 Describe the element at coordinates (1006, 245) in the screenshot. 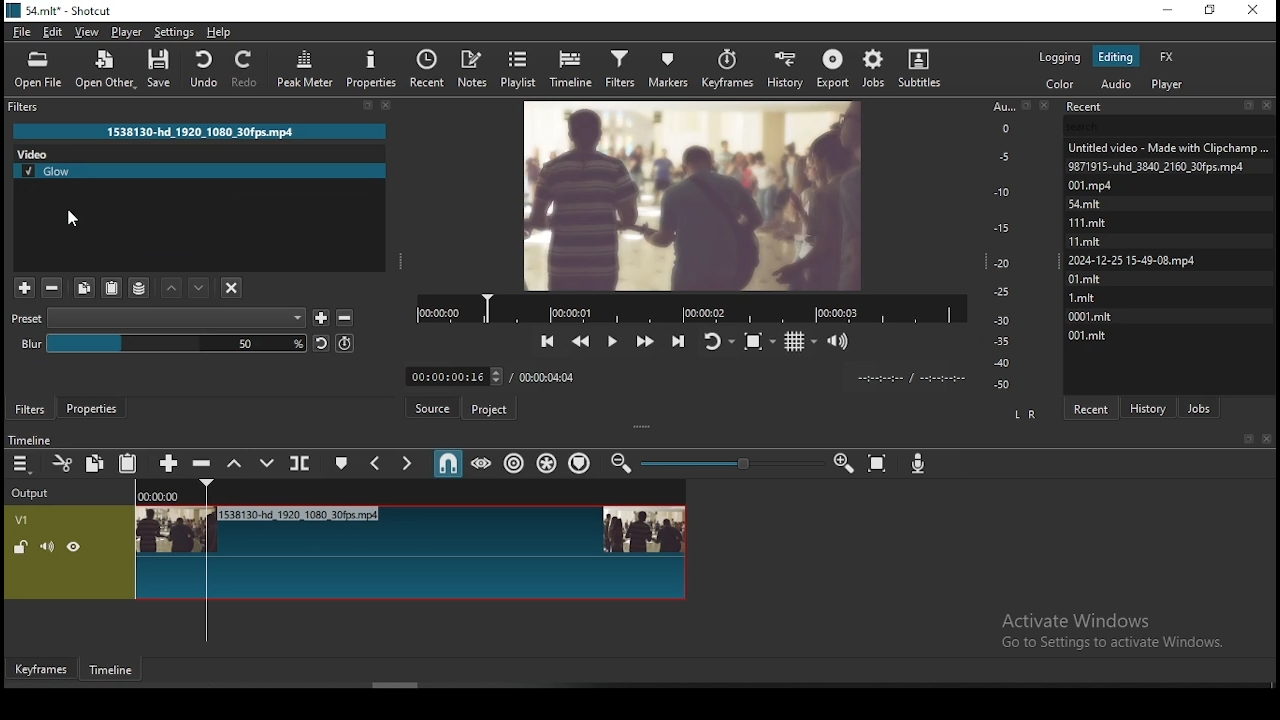

I see `scale` at that location.